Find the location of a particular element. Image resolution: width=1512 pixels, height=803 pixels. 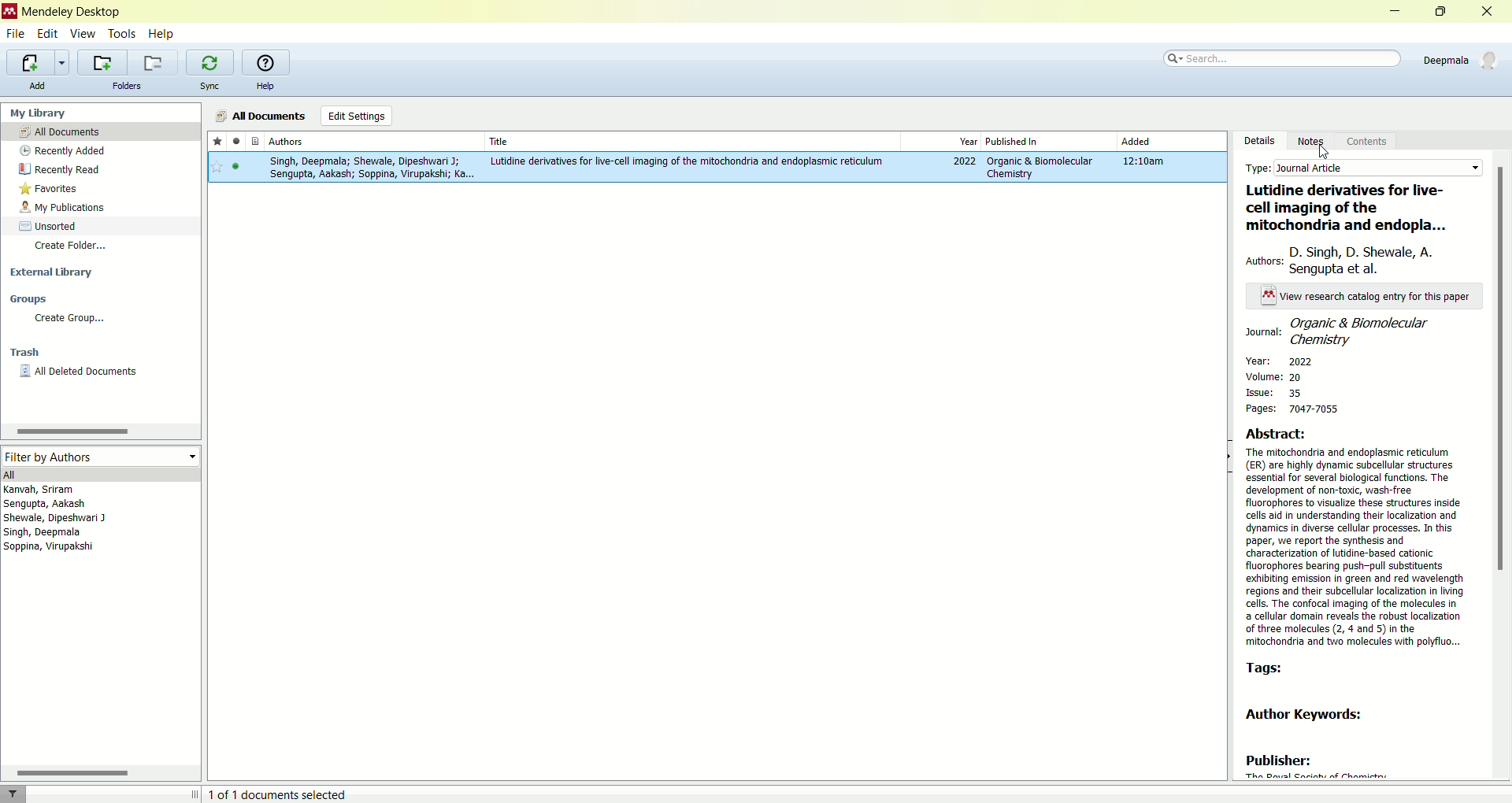

type is located at coordinates (1258, 168).